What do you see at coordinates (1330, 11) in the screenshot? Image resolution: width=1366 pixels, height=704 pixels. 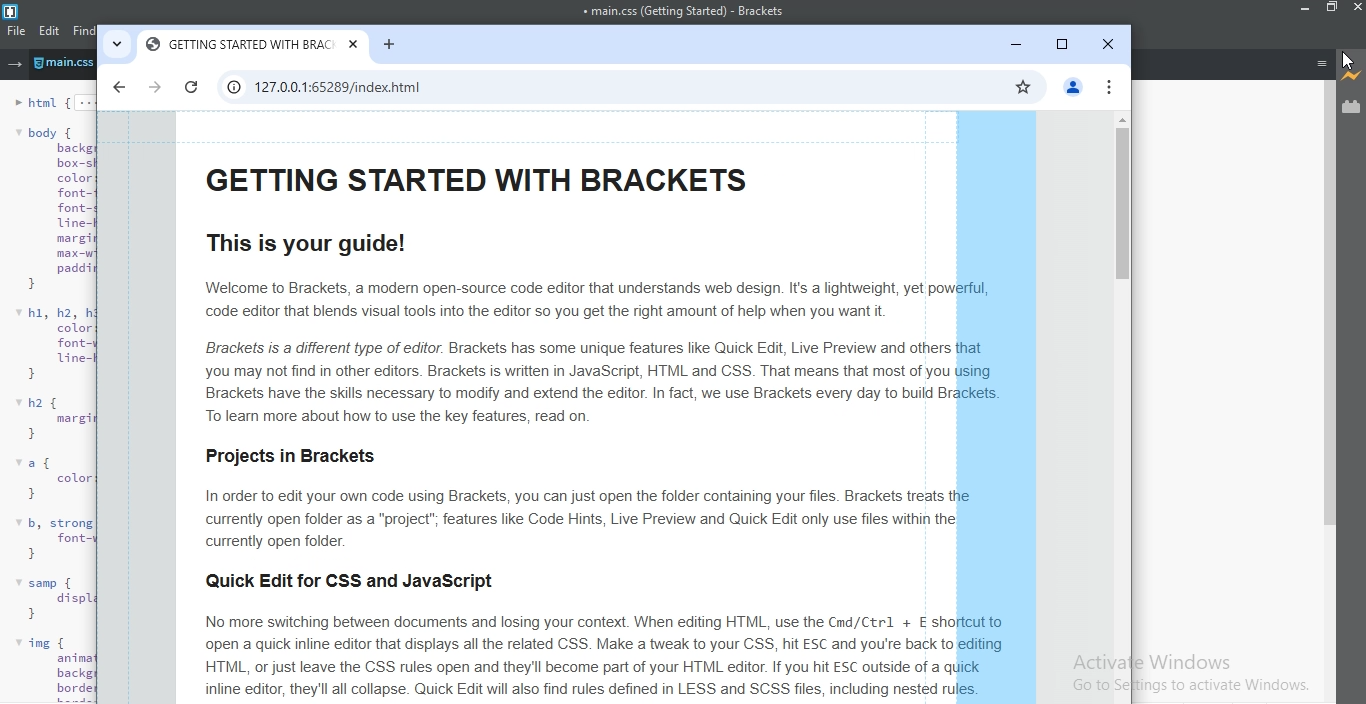 I see `restore` at bounding box center [1330, 11].